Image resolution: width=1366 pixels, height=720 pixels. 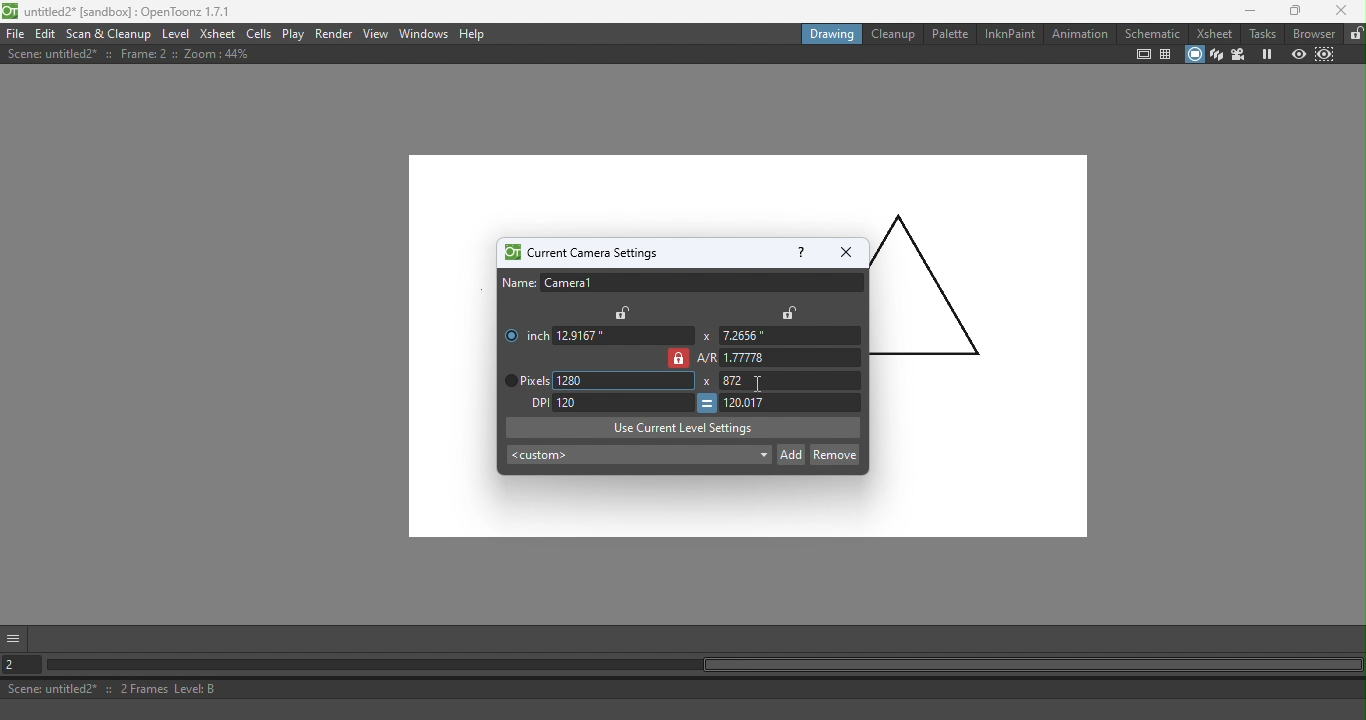 I want to click on File, so click(x=15, y=33).